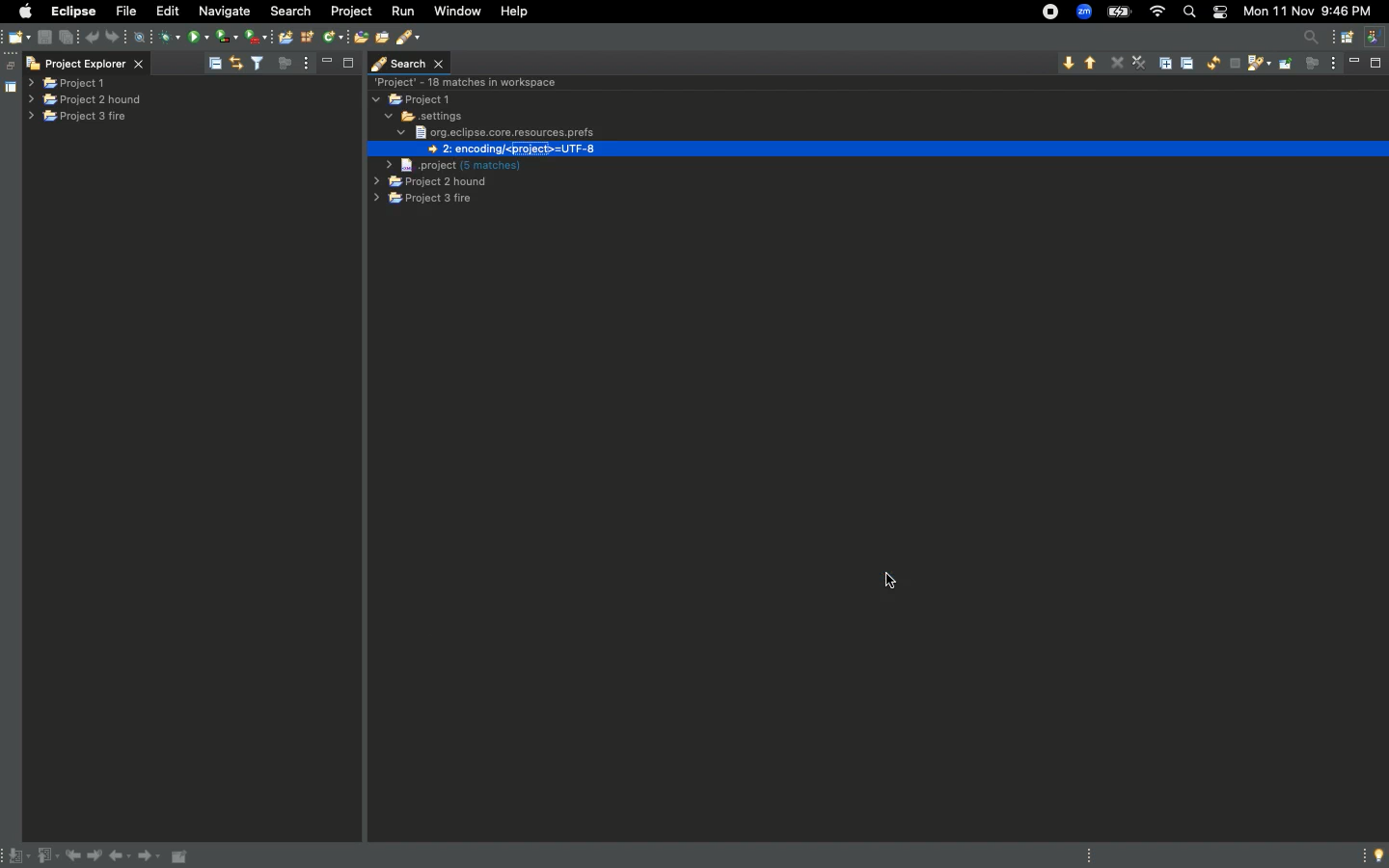 Image resolution: width=1389 pixels, height=868 pixels. Describe the element at coordinates (238, 62) in the screenshot. I see `link with editor` at that location.